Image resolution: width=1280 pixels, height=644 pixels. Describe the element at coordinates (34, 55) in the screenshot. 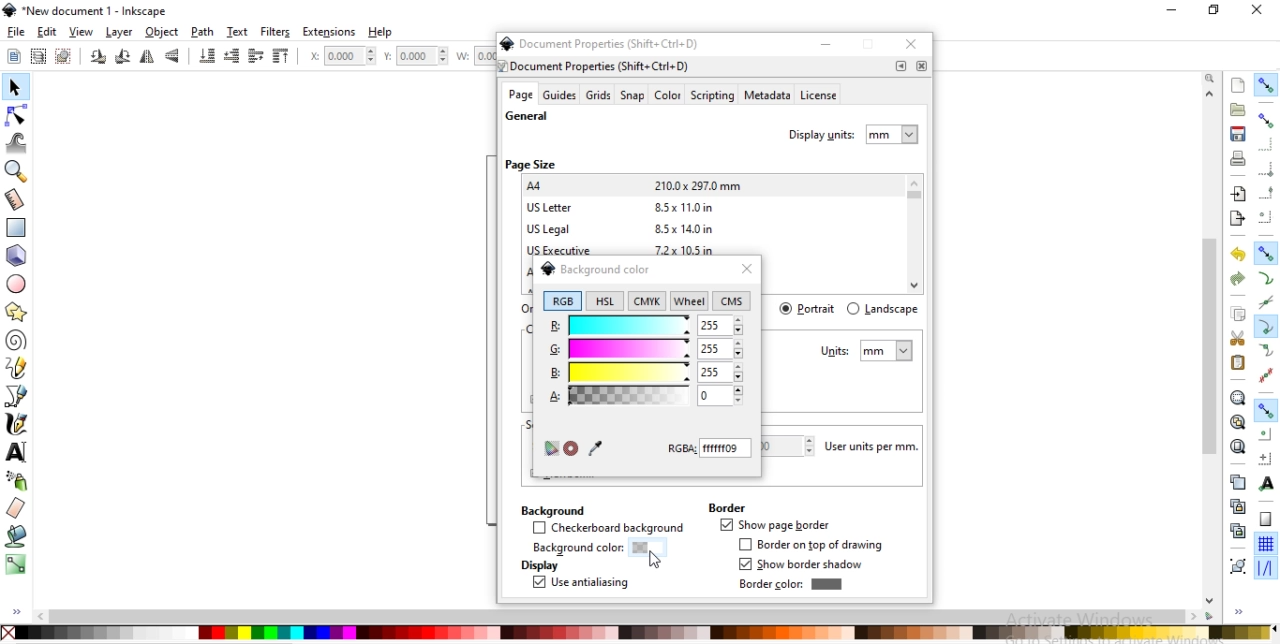

I see `select all objects in all visible and unlocked layer` at that location.